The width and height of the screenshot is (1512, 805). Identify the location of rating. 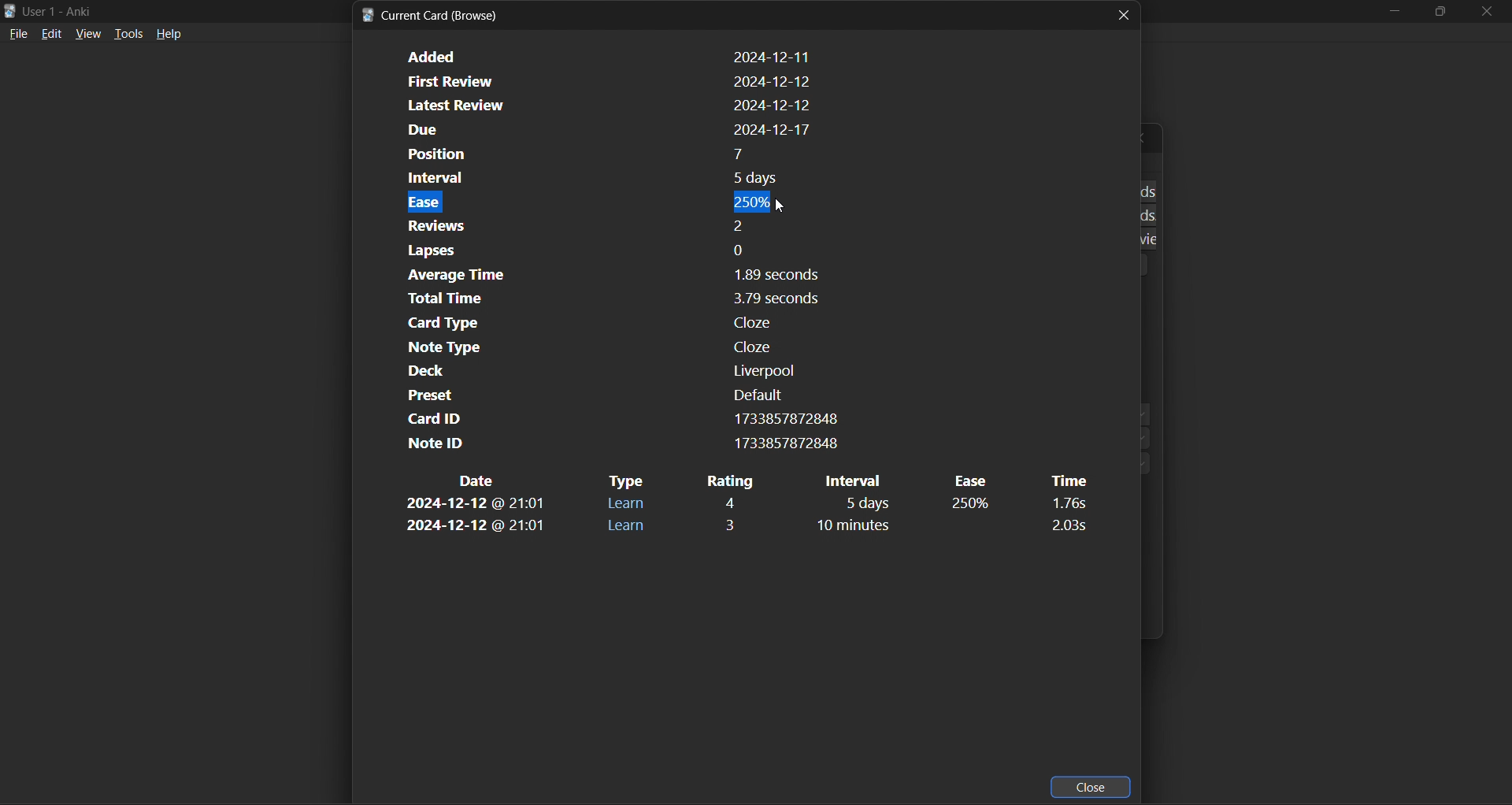
(732, 503).